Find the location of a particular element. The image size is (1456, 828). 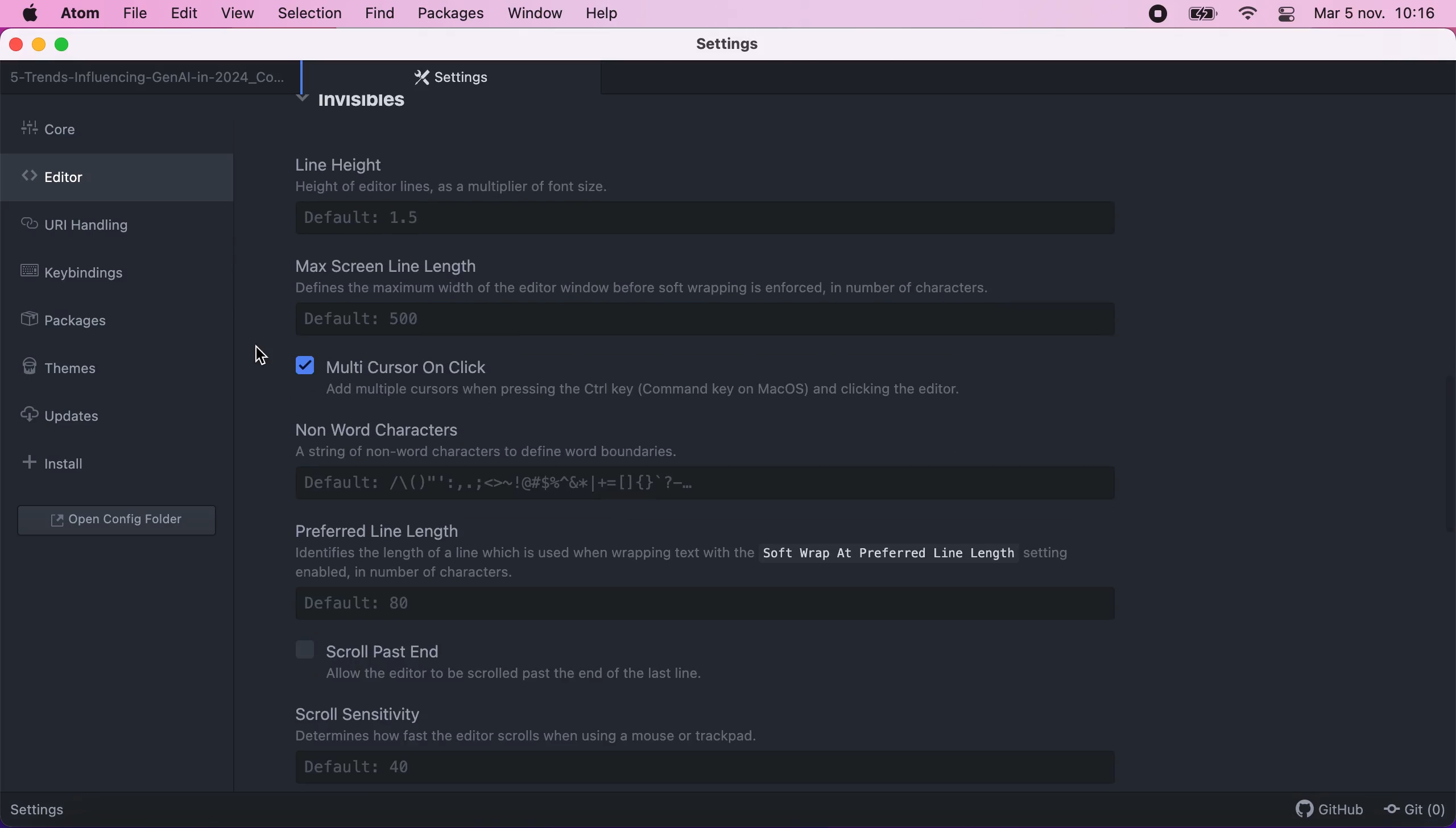

github is located at coordinates (1324, 809).